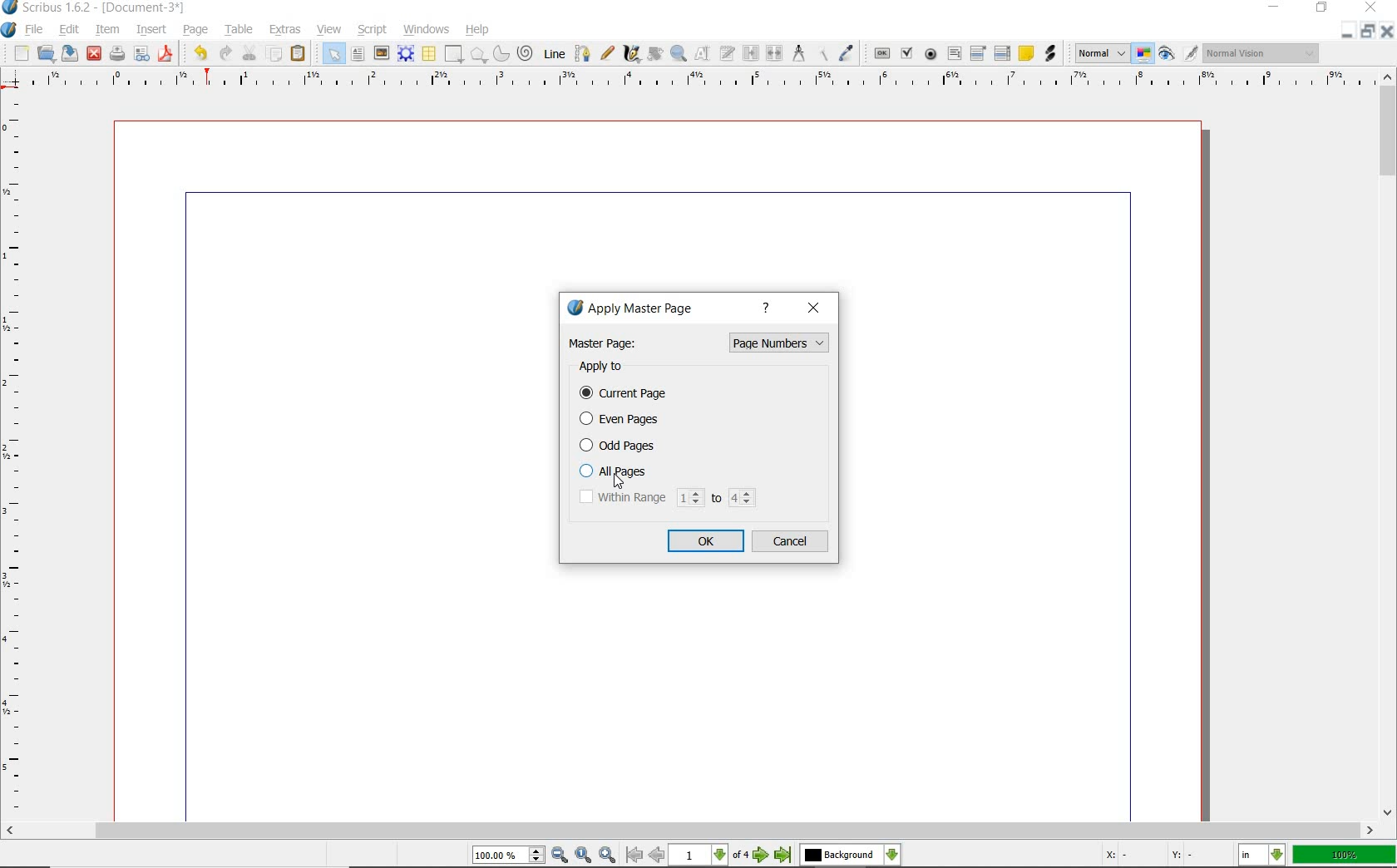 Image resolution: width=1397 pixels, height=868 pixels. What do you see at coordinates (1143, 54) in the screenshot?
I see `toggle color management` at bounding box center [1143, 54].